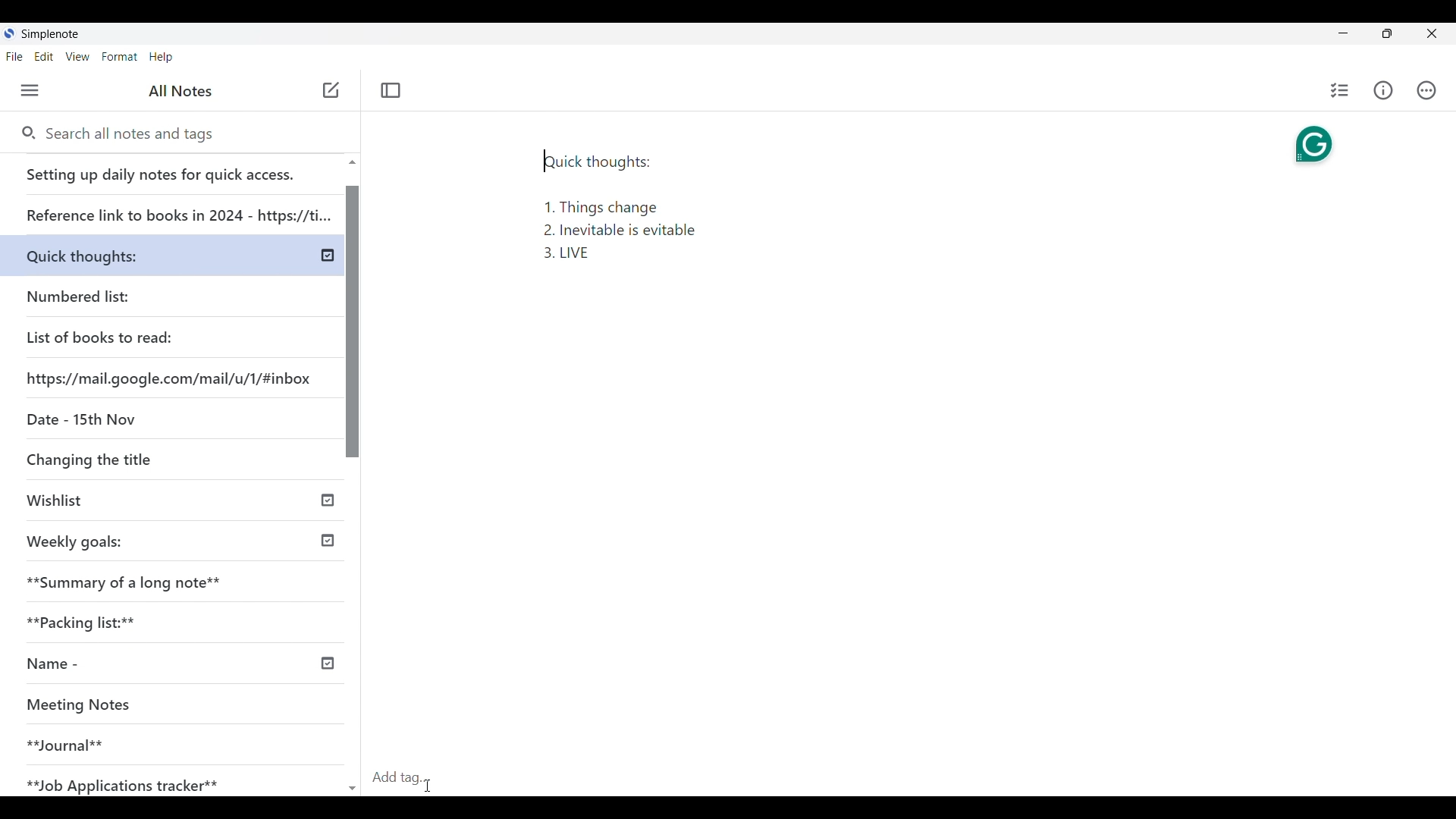 The width and height of the screenshot is (1456, 819). I want to click on Actions, so click(1425, 89).